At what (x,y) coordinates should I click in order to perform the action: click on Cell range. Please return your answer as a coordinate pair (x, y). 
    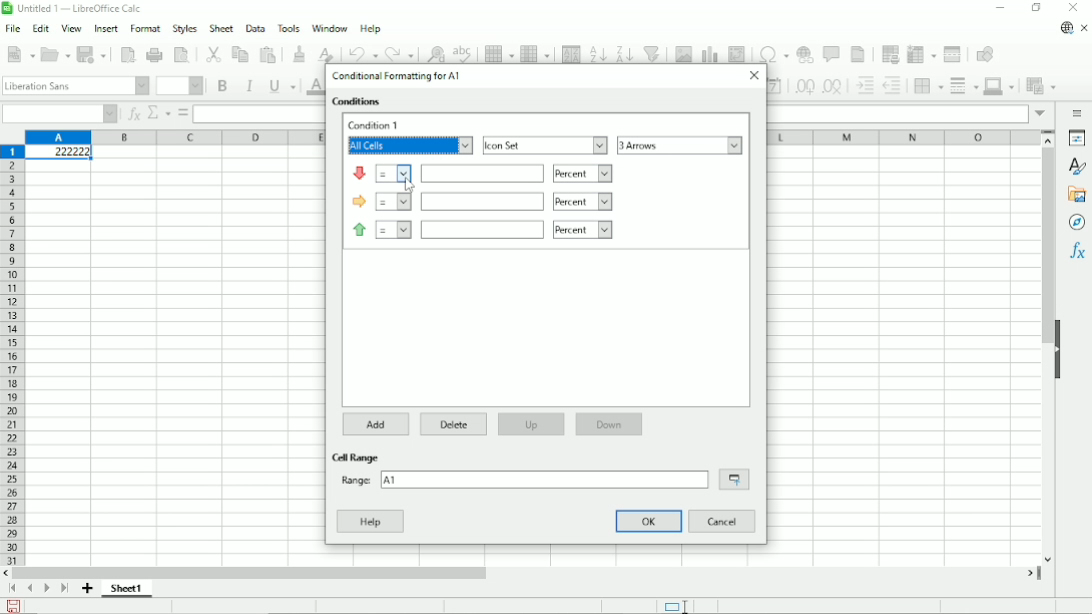
    Looking at the image, I should click on (358, 457).